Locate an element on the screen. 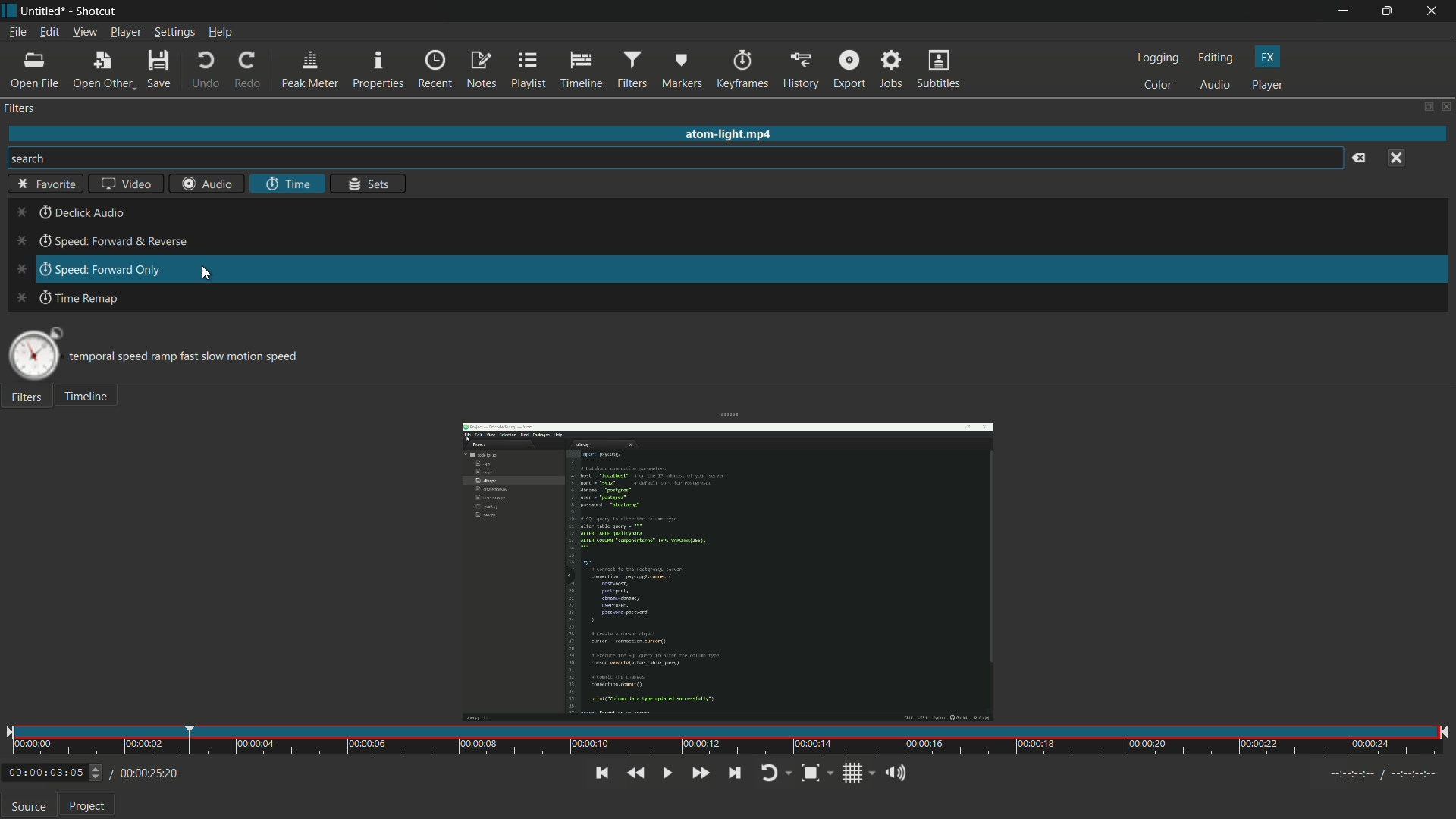  atom-light mp4 (opened file) is located at coordinates (733, 132).